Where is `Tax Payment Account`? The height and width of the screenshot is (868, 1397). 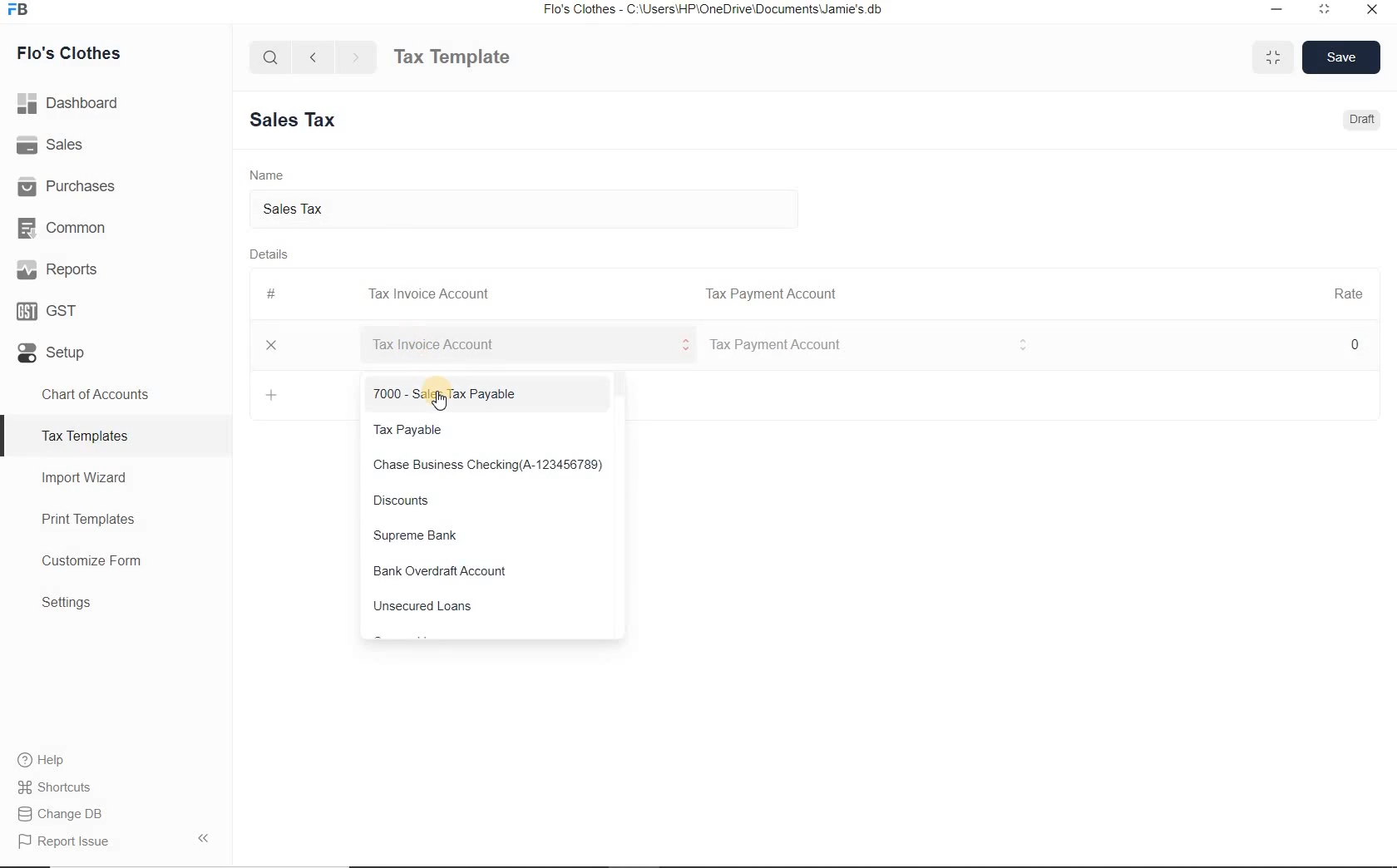 Tax Payment Account is located at coordinates (769, 294).